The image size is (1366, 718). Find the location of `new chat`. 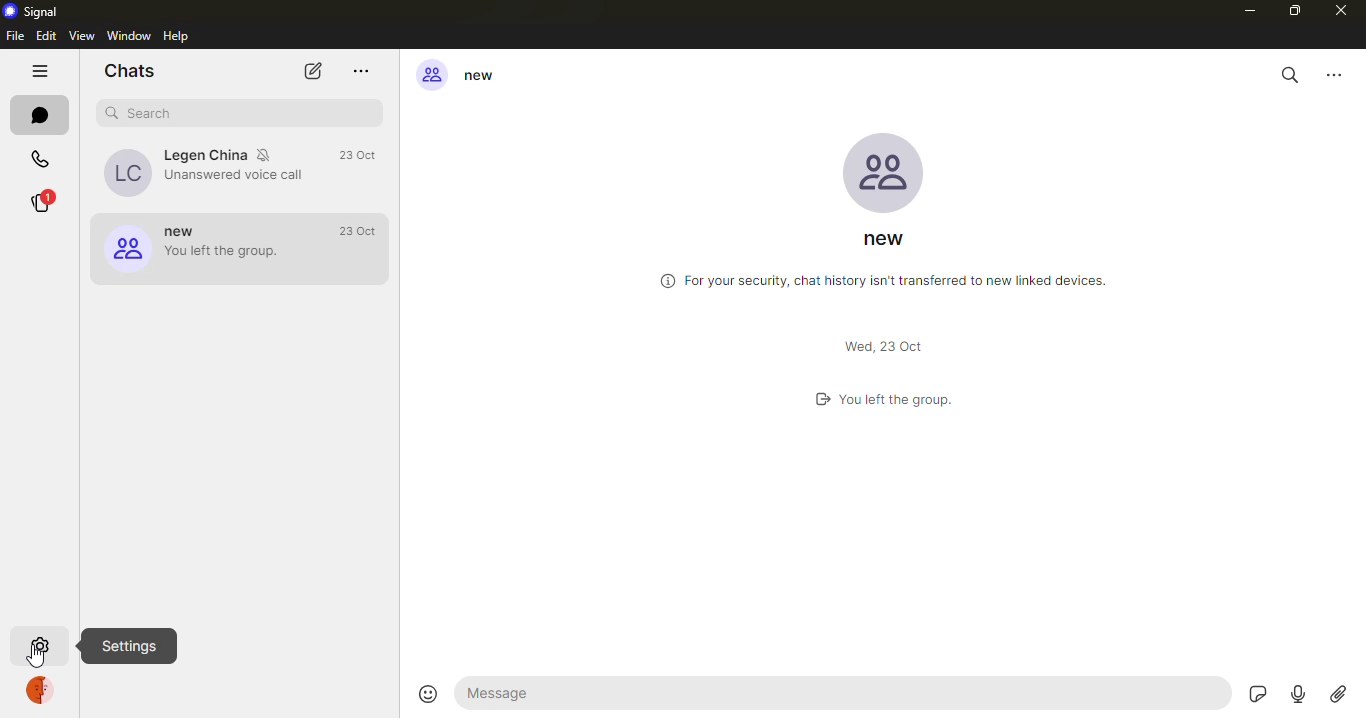

new chat is located at coordinates (314, 69).